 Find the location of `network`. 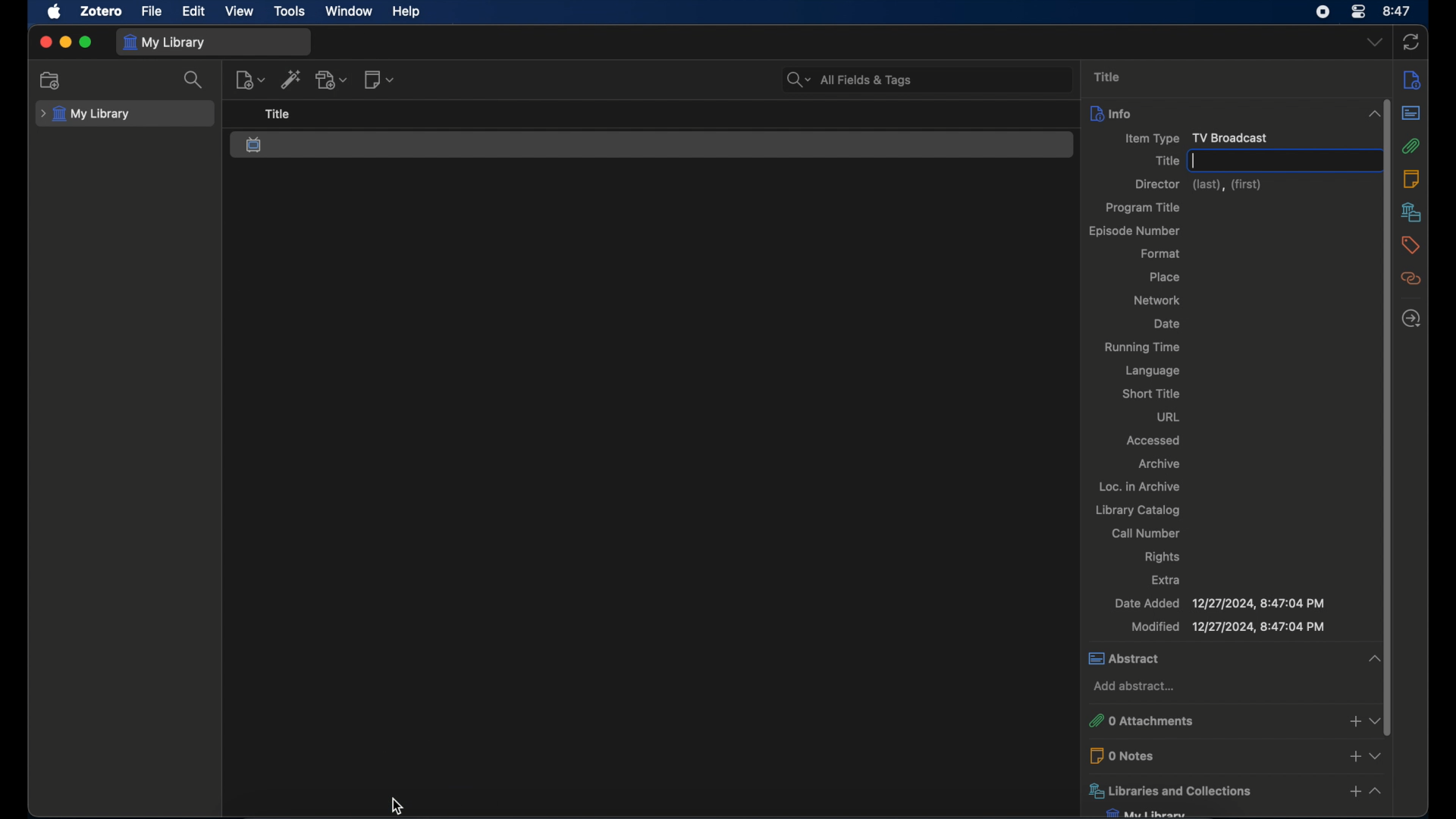

network is located at coordinates (1156, 300).